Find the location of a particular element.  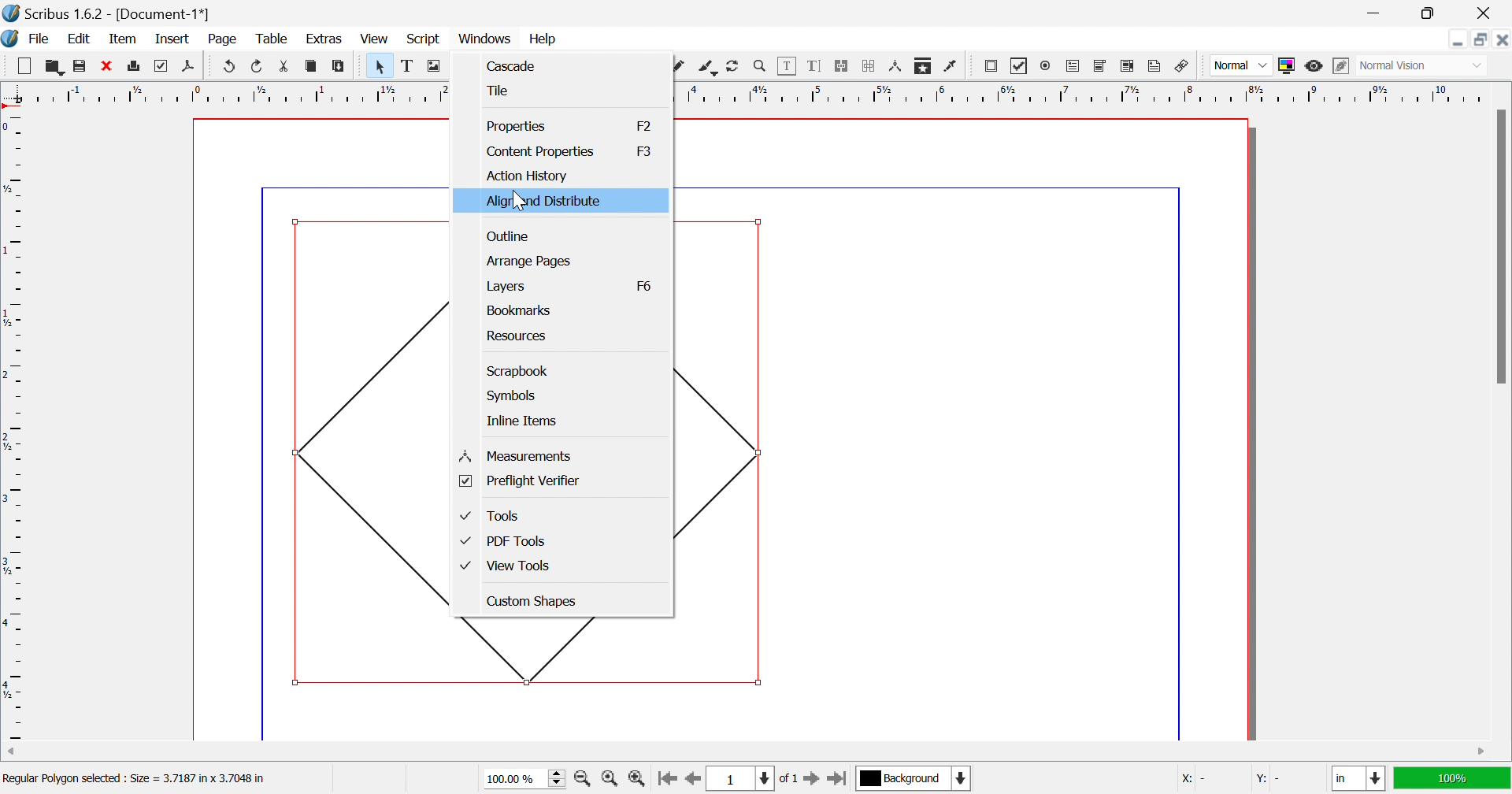

Insert is located at coordinates (172, 38).